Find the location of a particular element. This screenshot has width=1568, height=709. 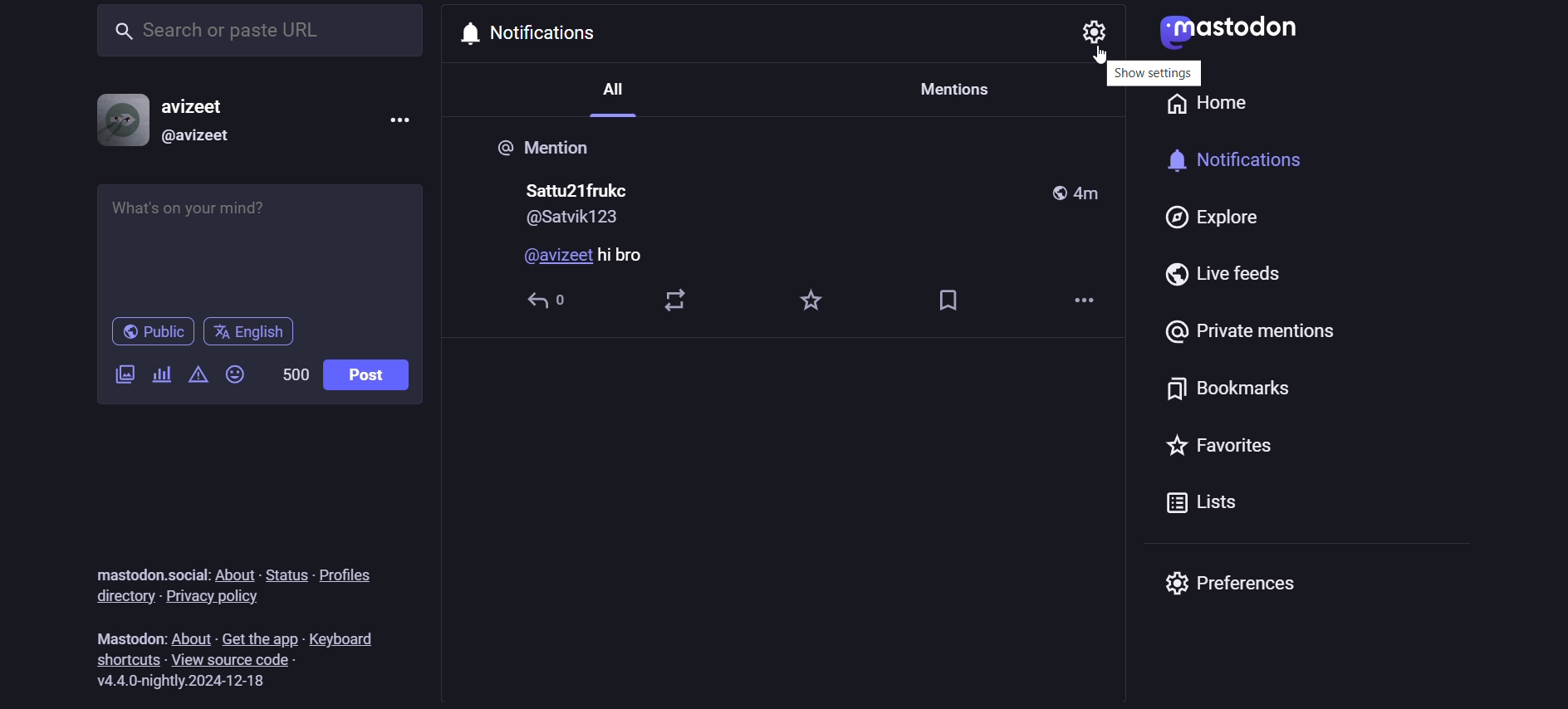

directory is located at coordinates (125, 598).